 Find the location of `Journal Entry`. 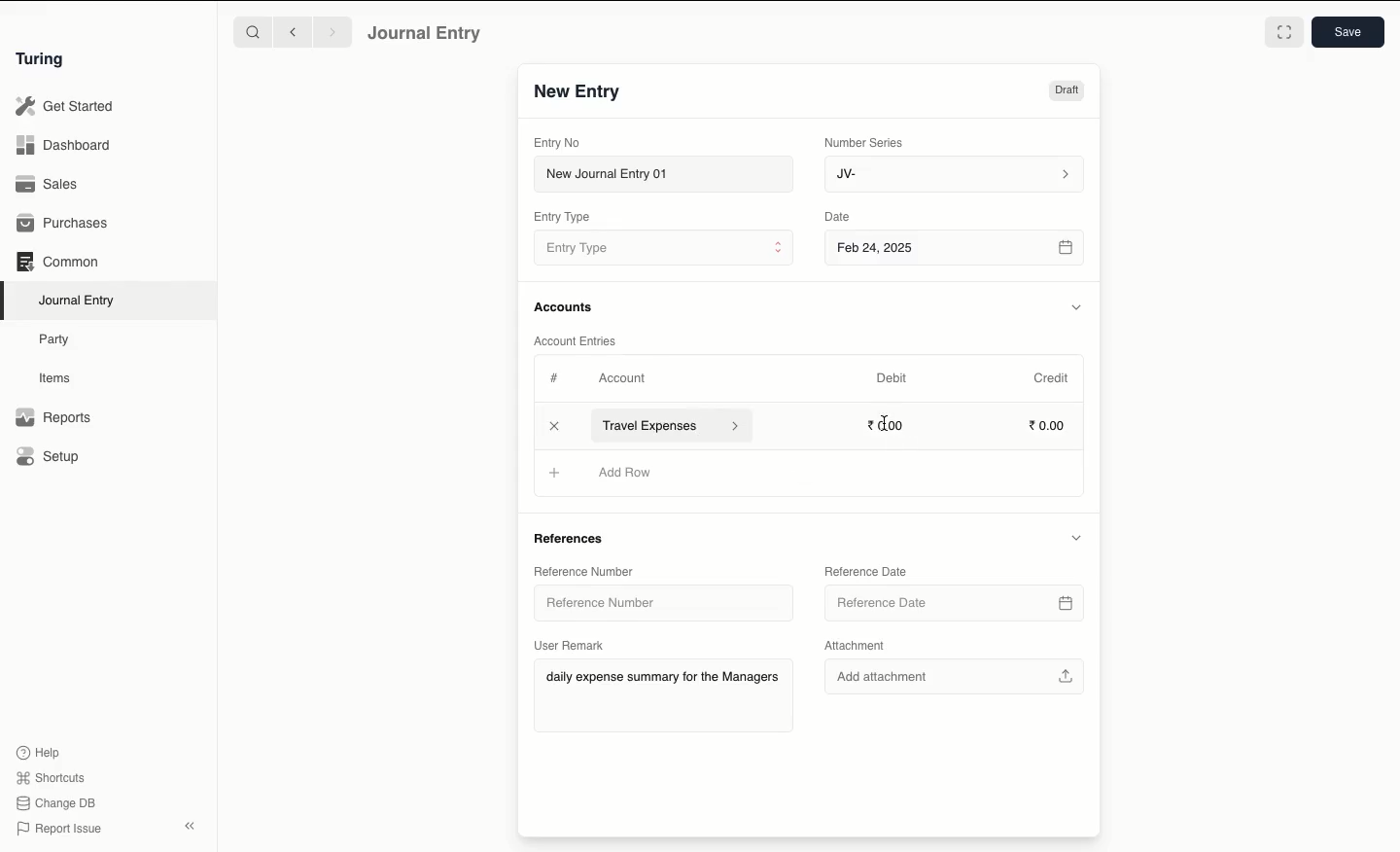

Journal Entry is located at coordinates (426, 34).